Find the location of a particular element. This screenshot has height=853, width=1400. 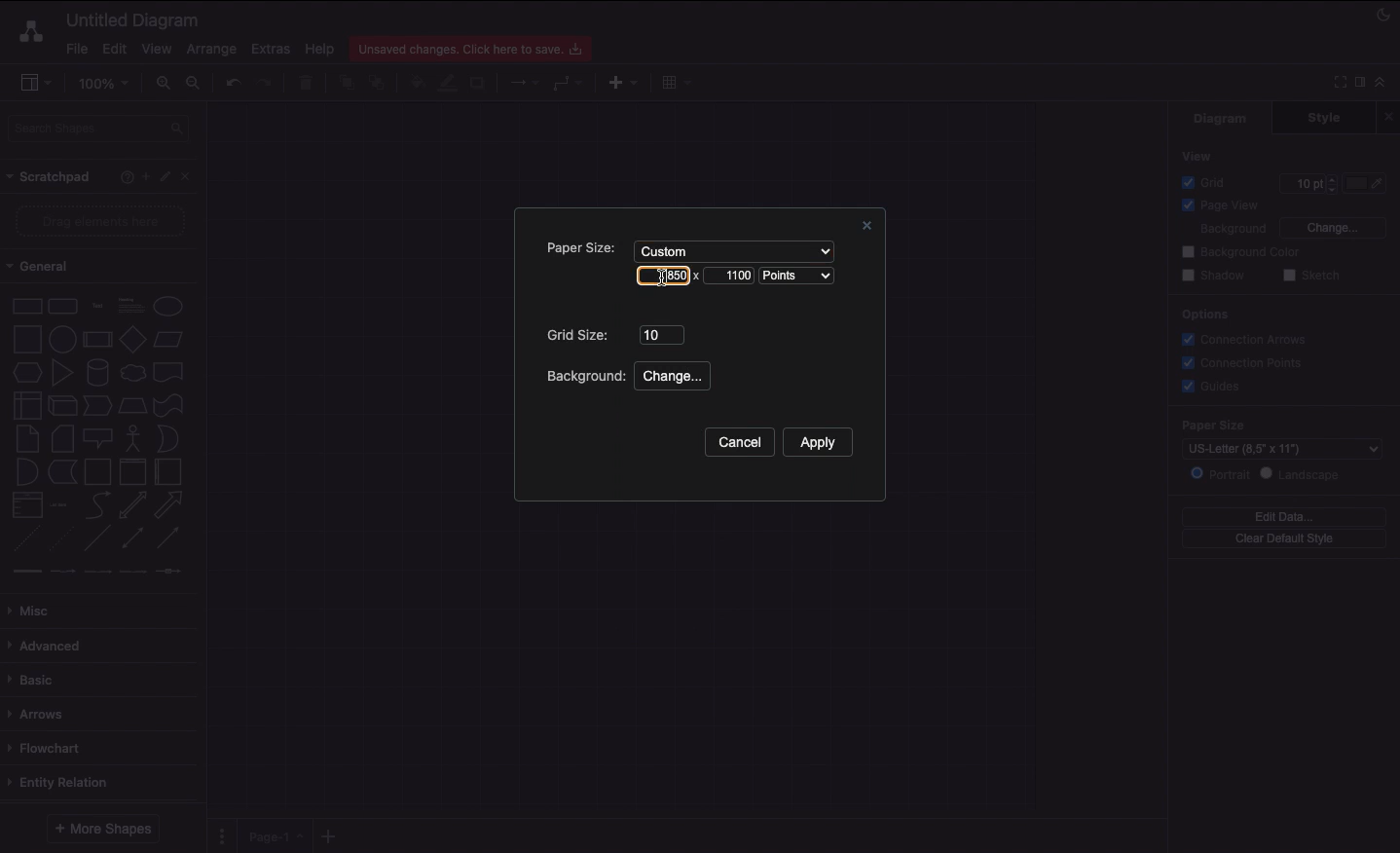

Apply is located at coordinates (817, 442).